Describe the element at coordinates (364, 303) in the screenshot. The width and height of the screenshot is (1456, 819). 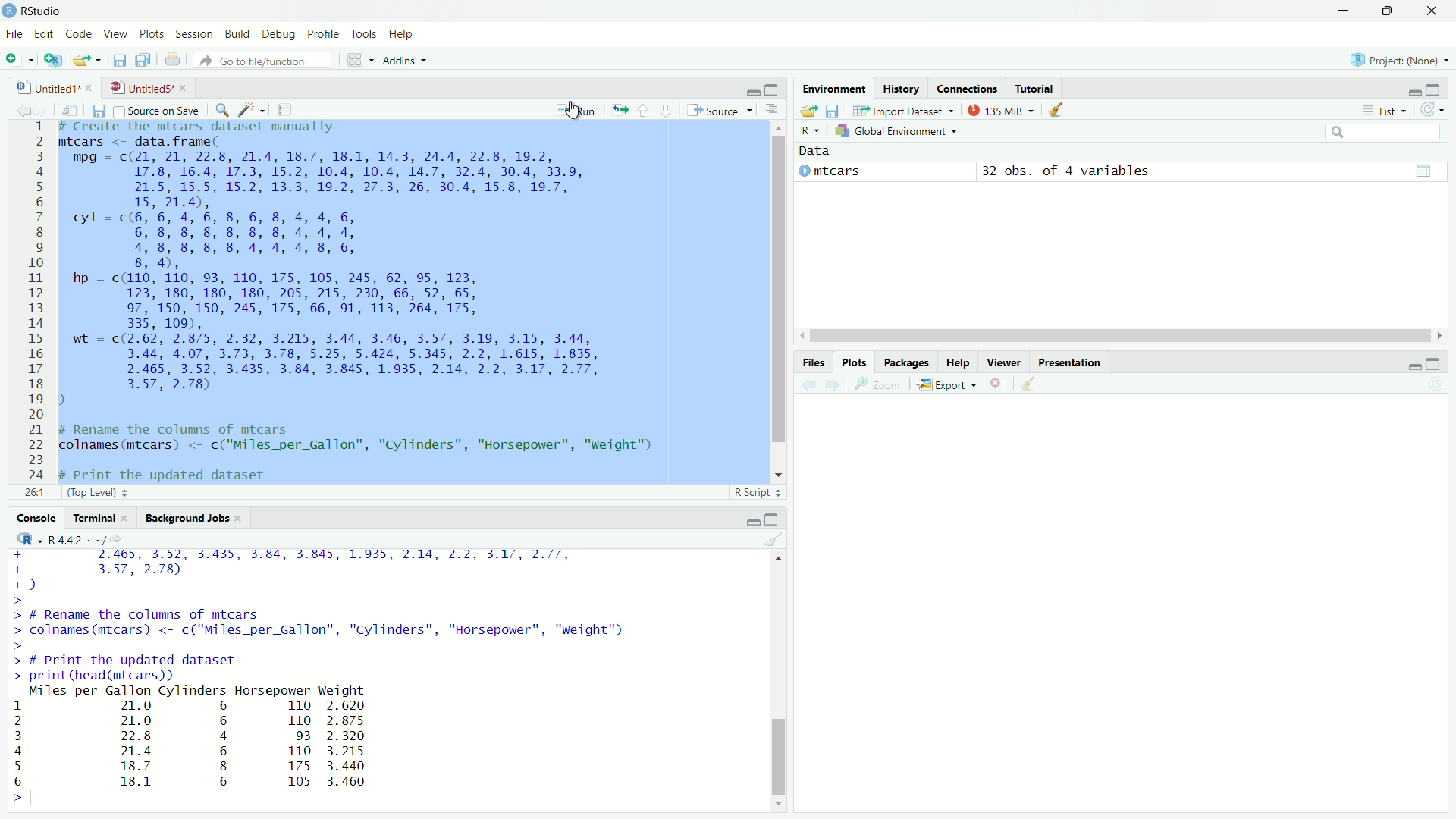
I see `1 # Create the mtcars dataset manually

2 mtcars <- data.frame(

BE mpg = c(21, 21, 22.8, 21.4, 18.7, 18.1, 14.3, 24.4, 22.8, 19.2,

4 17.8, 16.4, 17.3, 15.2, 10.4, 10.4, 14.7, 32.4, 30.4, 33.9,
5 21.5, 15.5, 15.2, 13.3, 19.2, 27.3, 26, 30.4, 15.8, 19.7,

6 15, 21.4),

7 cyl = c(6, 6, 4, 6, 8, 6, 8, 4, 4, 6,

8 6, 8, 8, 8, 8, 8, 8, 4, 4, 4,

9 4,8,8,8,8,4,4,4,8,6,

10 8, 4),

11 hp = c(110, 110, 93, 110, 175, 105, 245, 62, 95, 123,

12 123, 180, 180, 180, 205, 215, 230, 66, 52, 65, I

13 97, 150, 150, 245, 175, 66, 91, 113, 264, 175,

14 335, 109),

15 wt = c(2.62, 2.875, 2.32, 3.215, 3.44, 3.46, 3.57, 3.19, 3.15, 3.44,
16 3.44, 4.07, 3.73, 3.78, 5.25, 5.424, 5.345, 2.2, 1.615, 1.835,
17 2.465, 3.52, 3.435, 3.84, 3.845, 1.935, 2.14, 2.2, 3.17, 2.77,
18 3.57, 2.78)

19 )

20

21 # Rename the columns of mtcars

22 colnames(mtcars) <- c("Miles_per_Gallon", "Cylinders", "Horsepower", "weight")
23

TIE ER Py,` at that location.